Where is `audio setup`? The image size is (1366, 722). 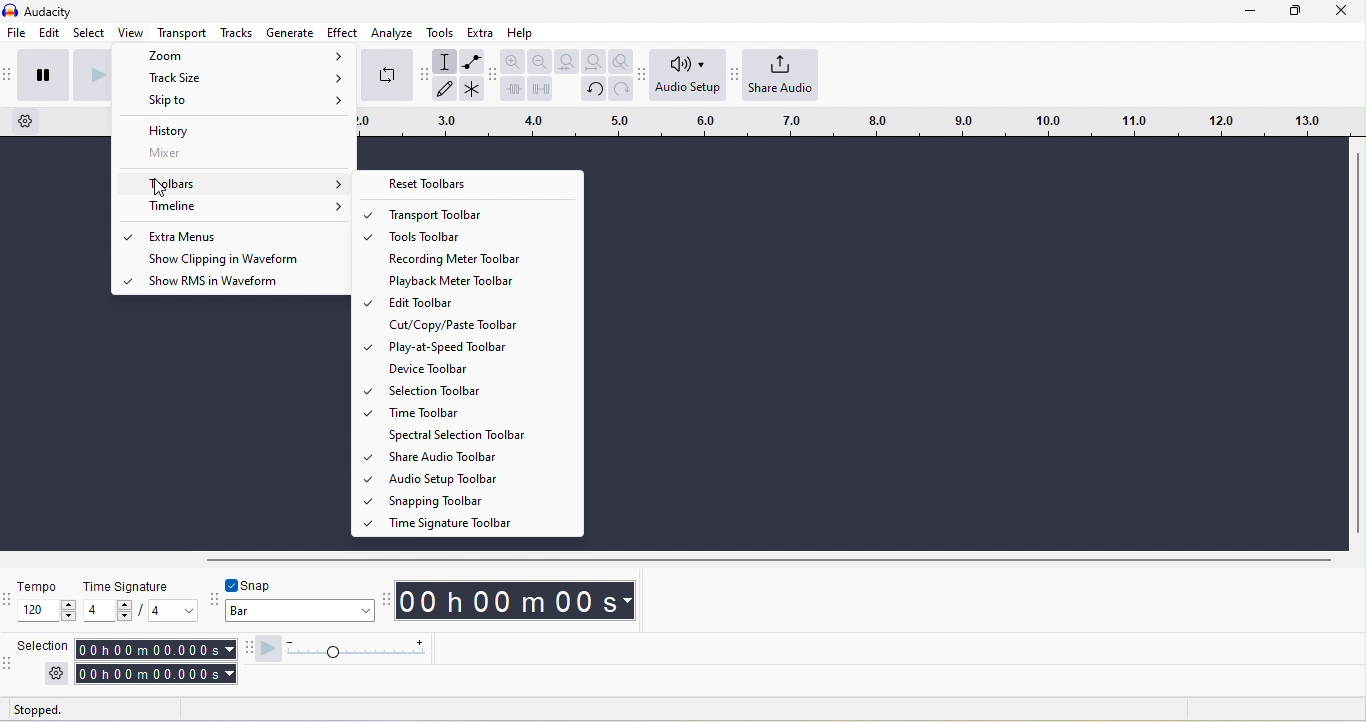
audio setup is located at coordinates (688, 74).